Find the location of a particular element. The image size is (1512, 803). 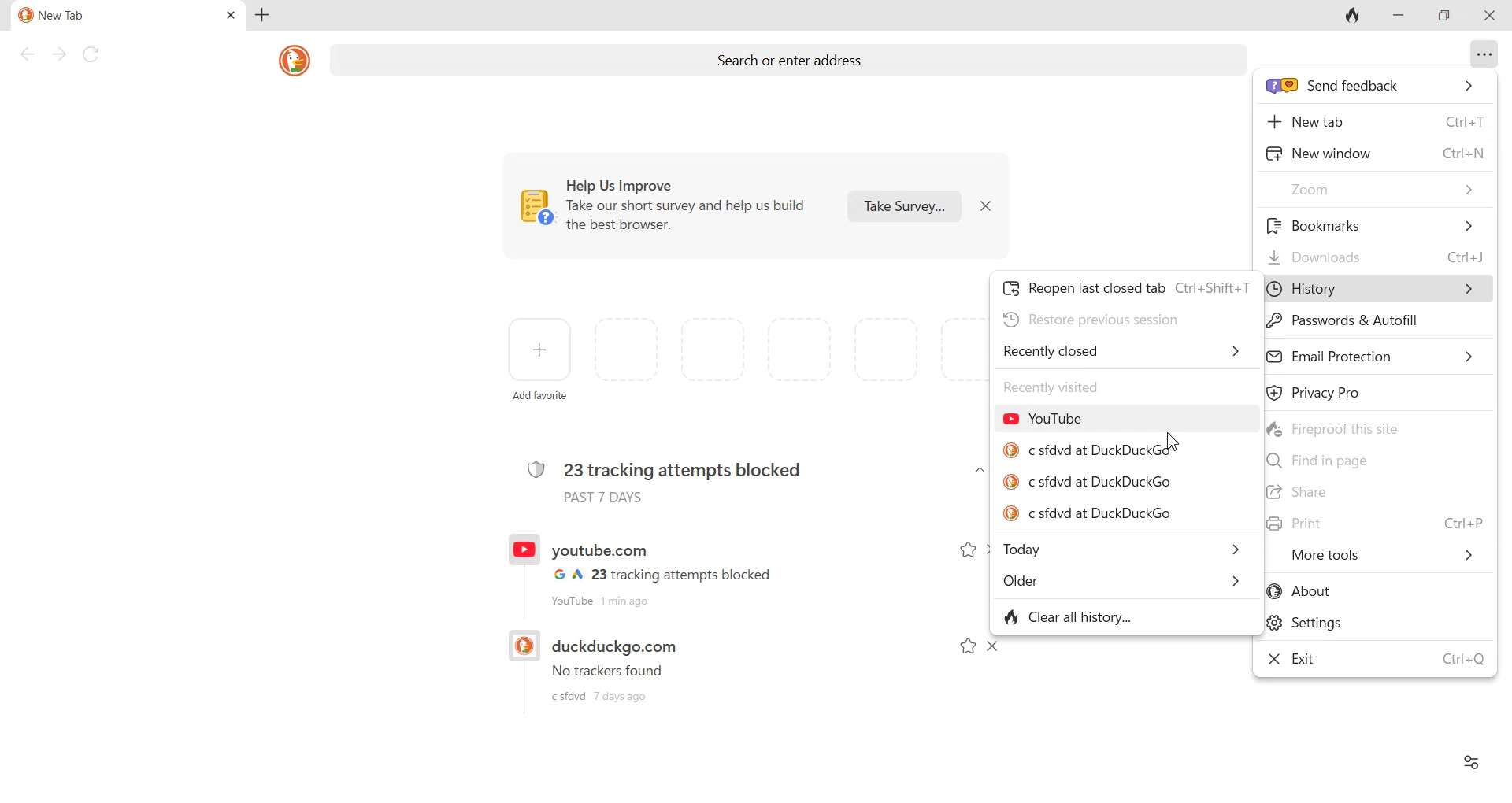

Zoom is located at coordinates (1375, 189).